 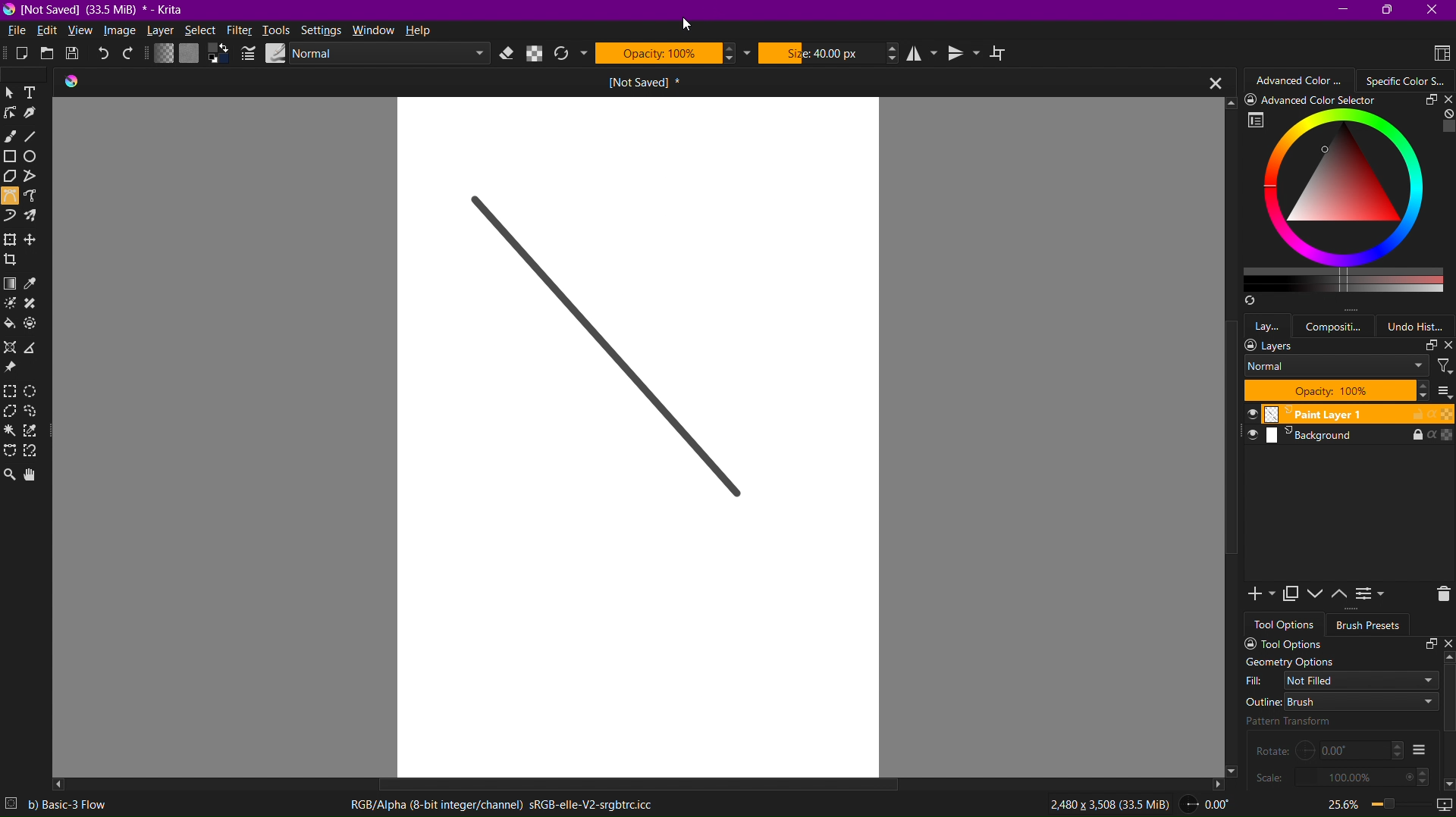 What do you see at coordinates (13, 392) in the screenshot?
I see `Rectangular Selection Tool` at bounding box center [13, 392].